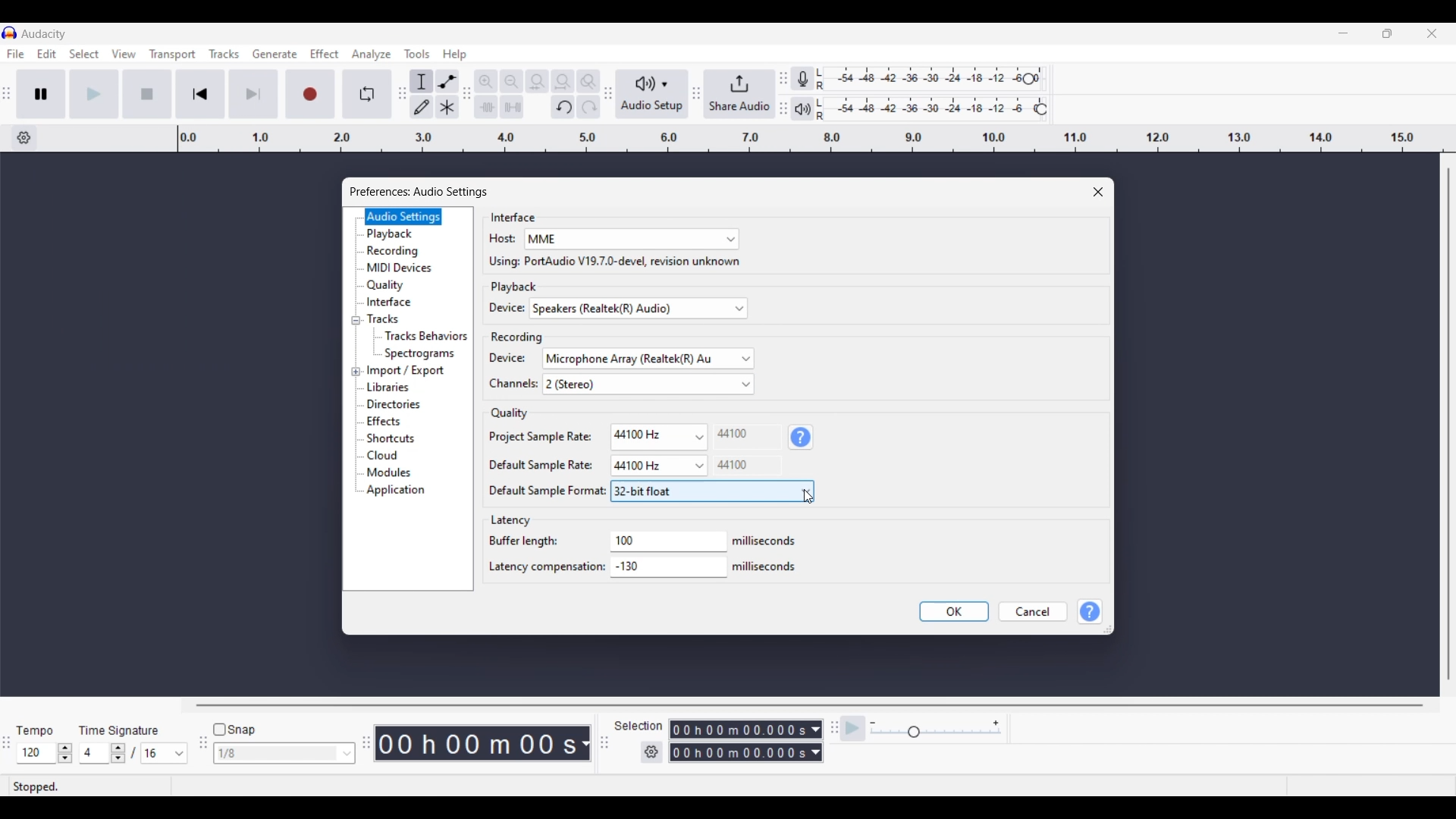 The image size is (1456, 819). What do you see at coordinates (427, 335) in the screenshot?
I see `Track behaviours` at bounding box center [427, 335].